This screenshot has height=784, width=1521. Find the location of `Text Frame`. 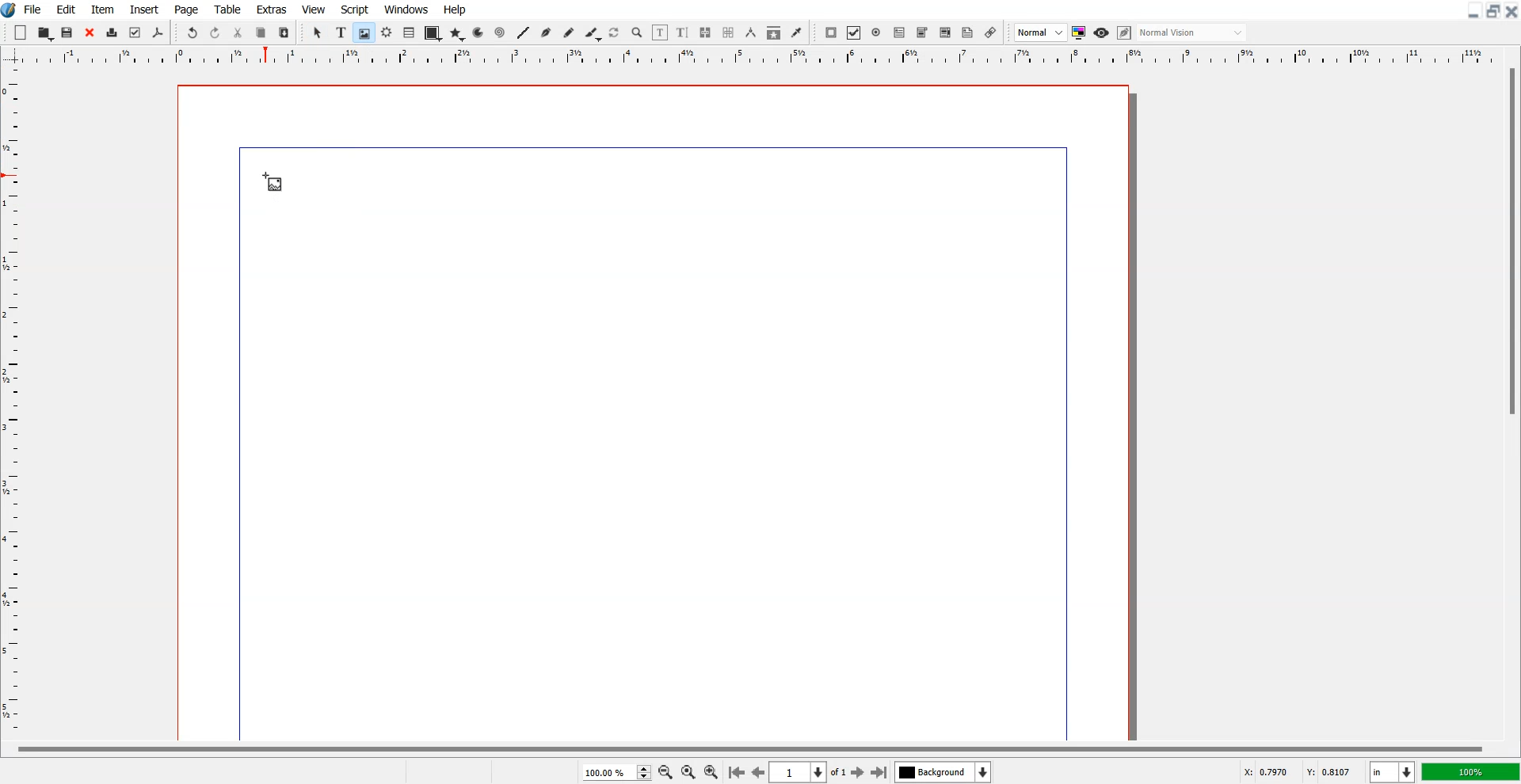

Text Frame is located at coordinates (341, 32).